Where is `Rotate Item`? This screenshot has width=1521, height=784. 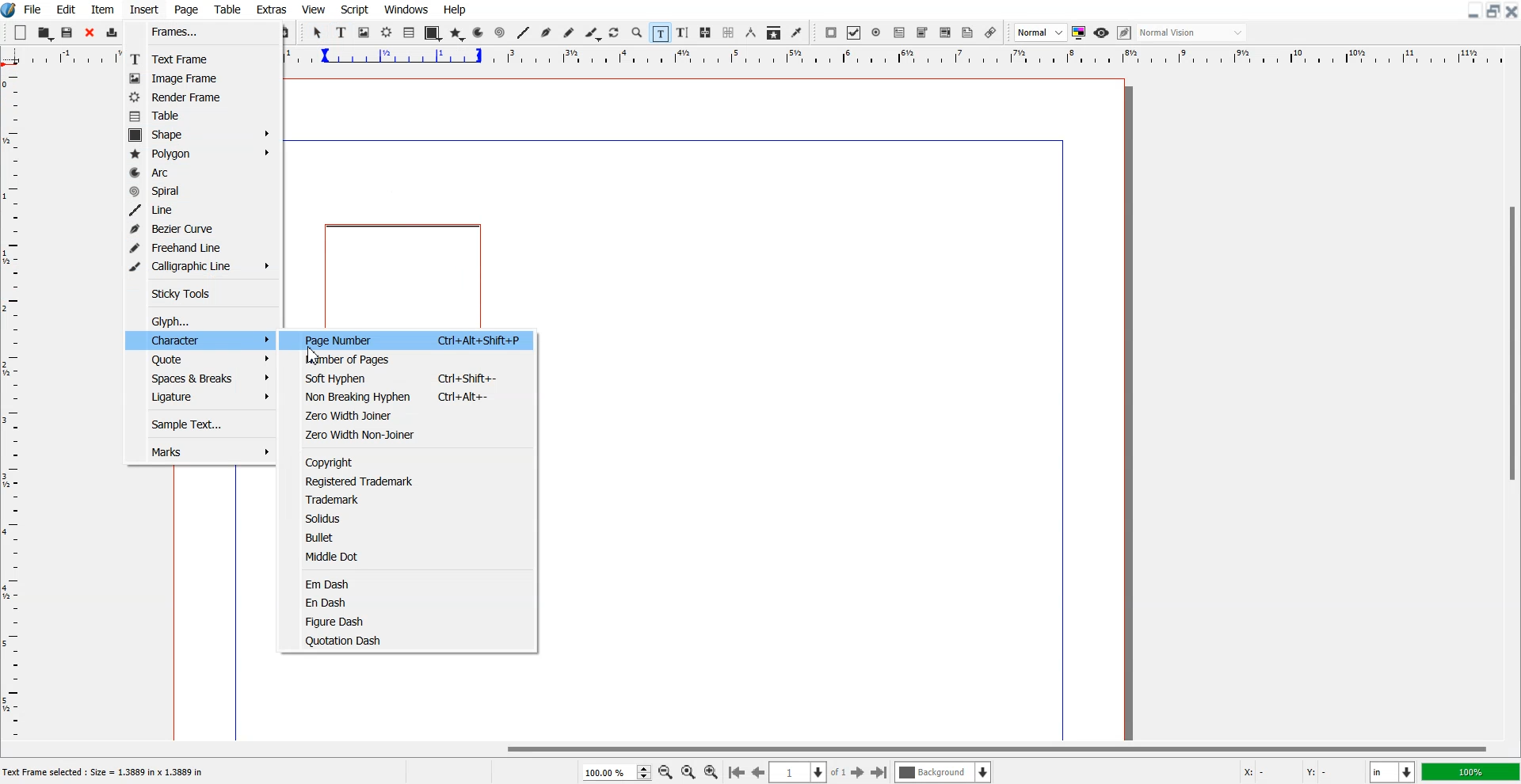
Rotate Item is located at coordinates (616, 33).